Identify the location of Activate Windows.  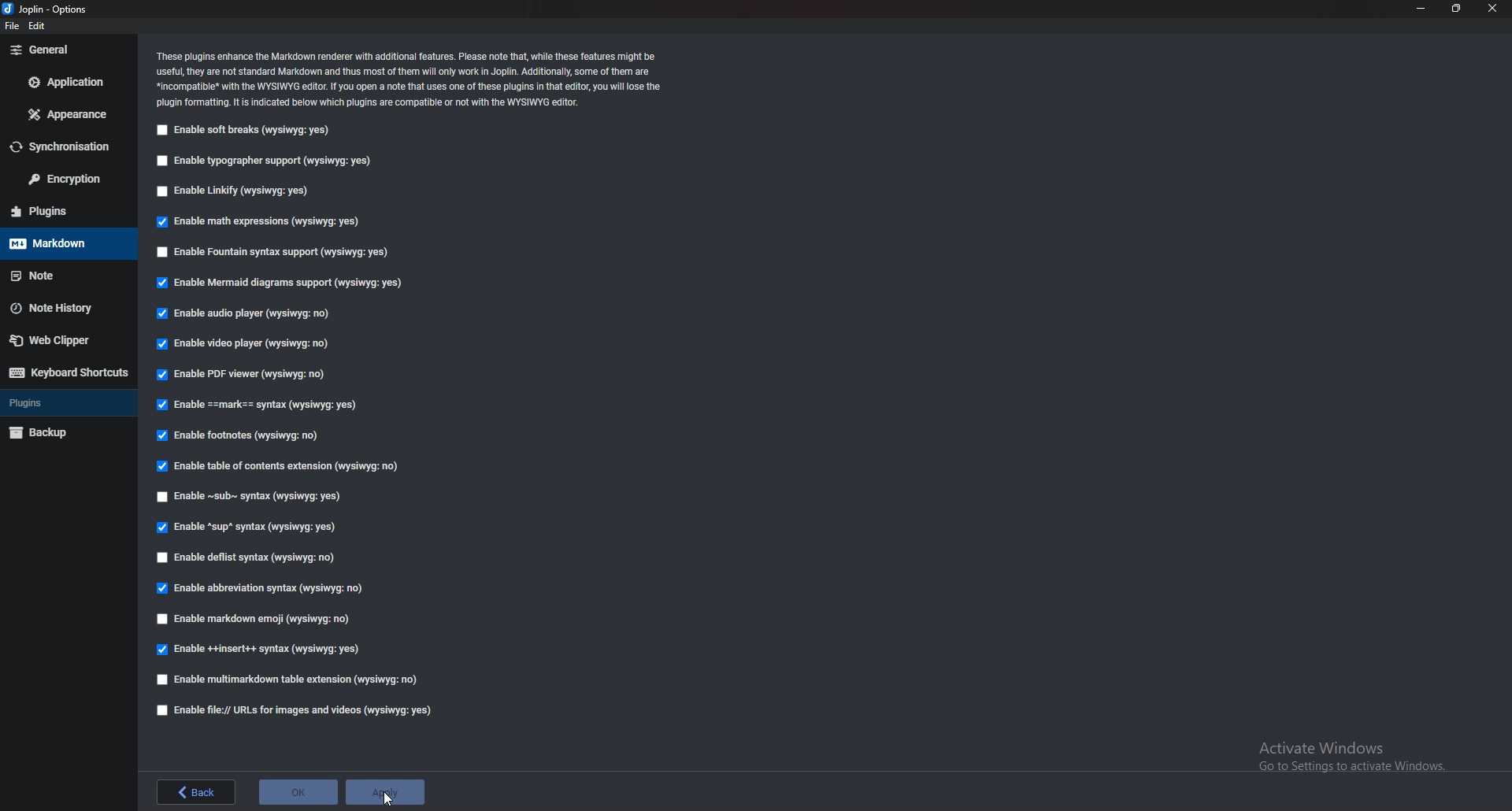
(1353, 752).